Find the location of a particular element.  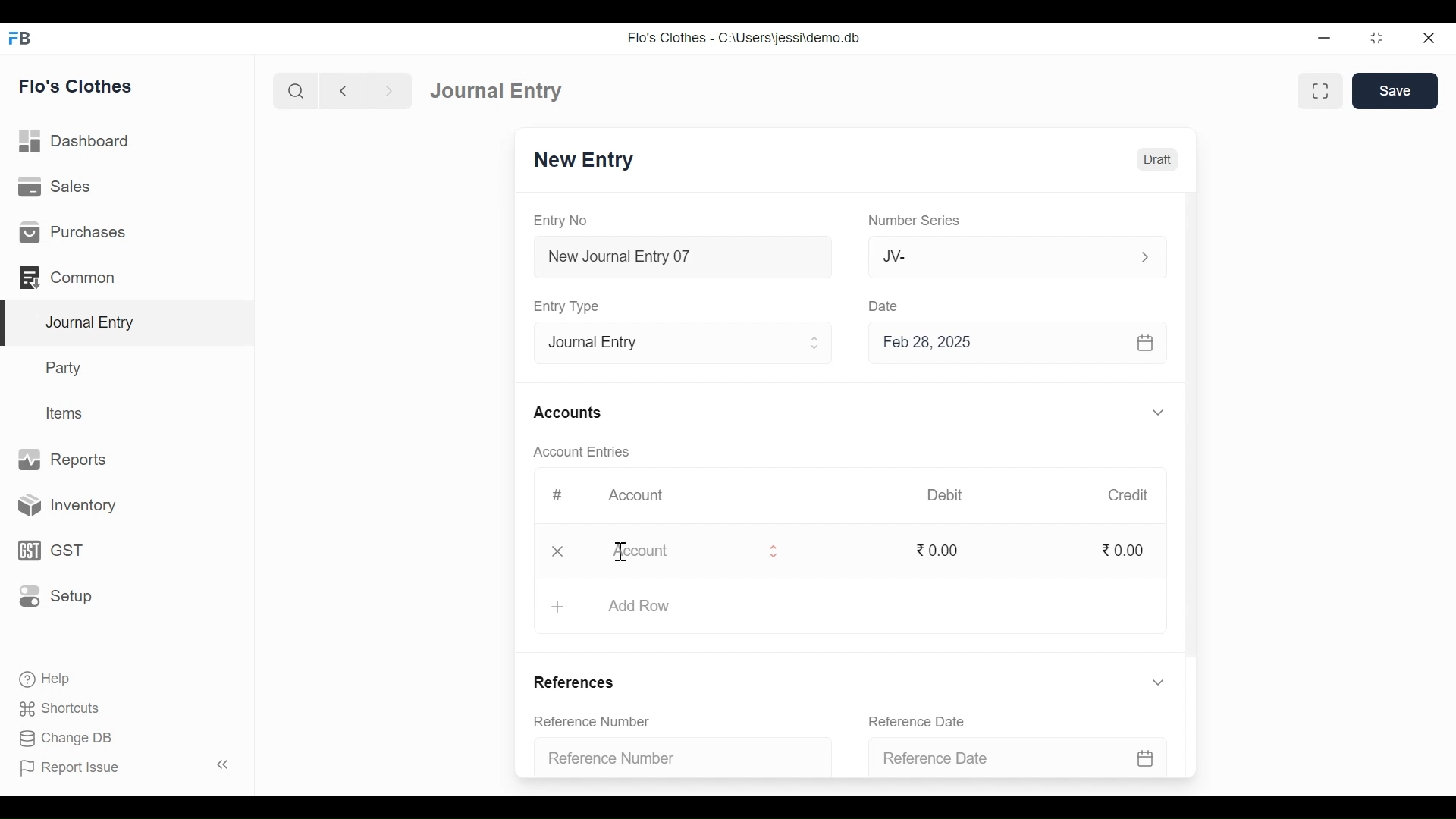

Account is located at coordinates (676, 555).